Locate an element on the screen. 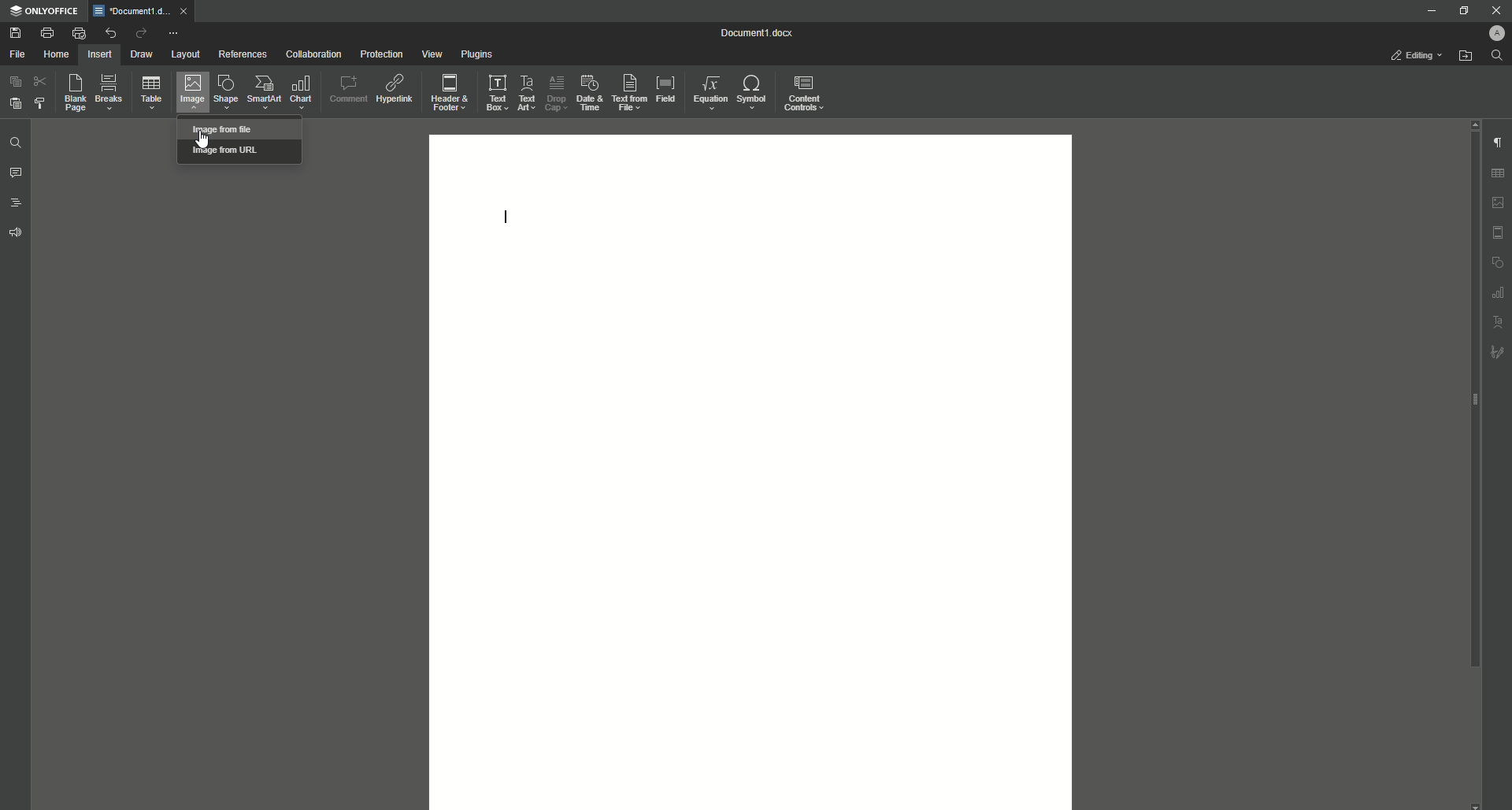  Table Settings is located at coordinates (1498, 173).